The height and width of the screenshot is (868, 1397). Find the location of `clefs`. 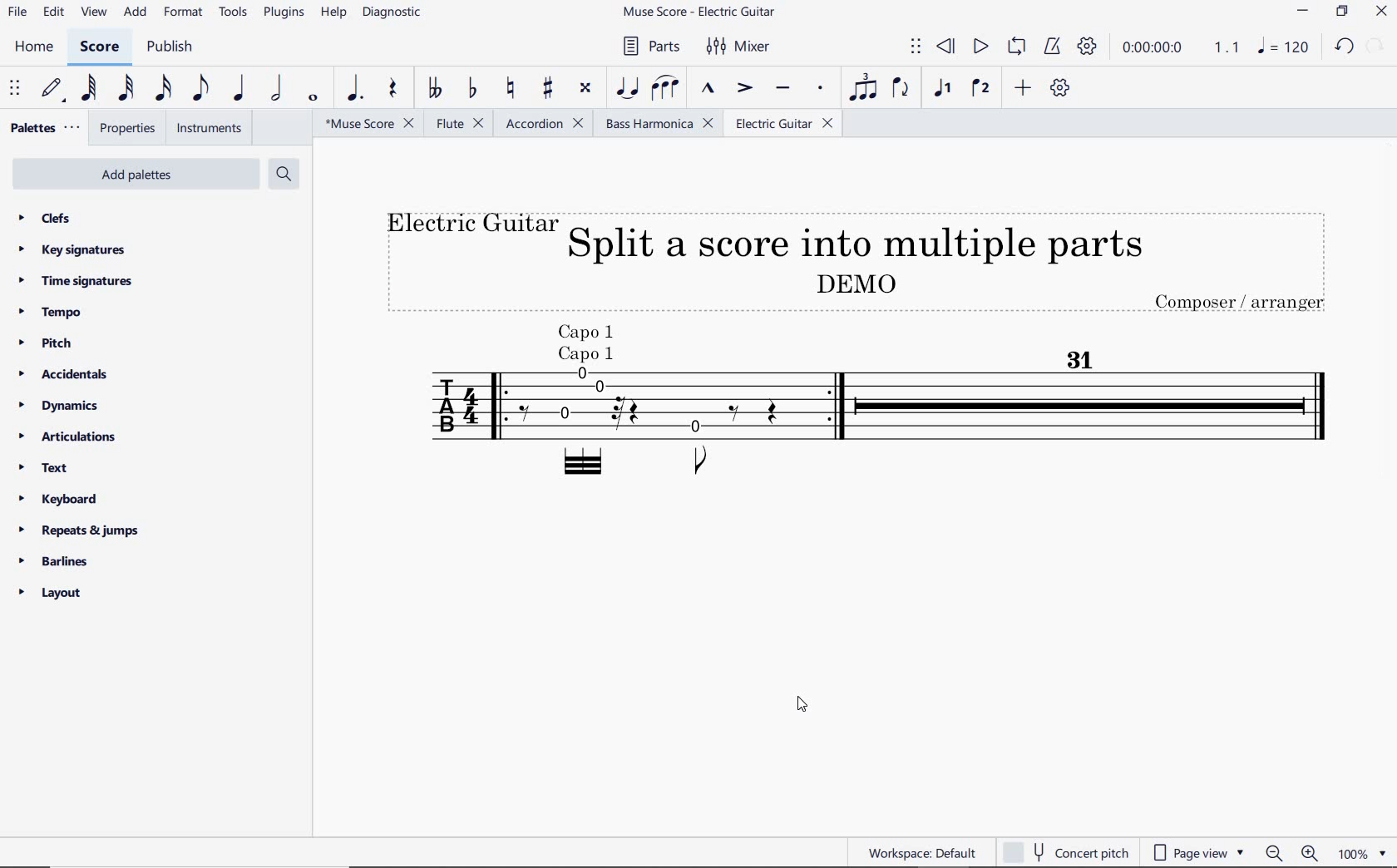

clefs is located at coordinates (38, 217).